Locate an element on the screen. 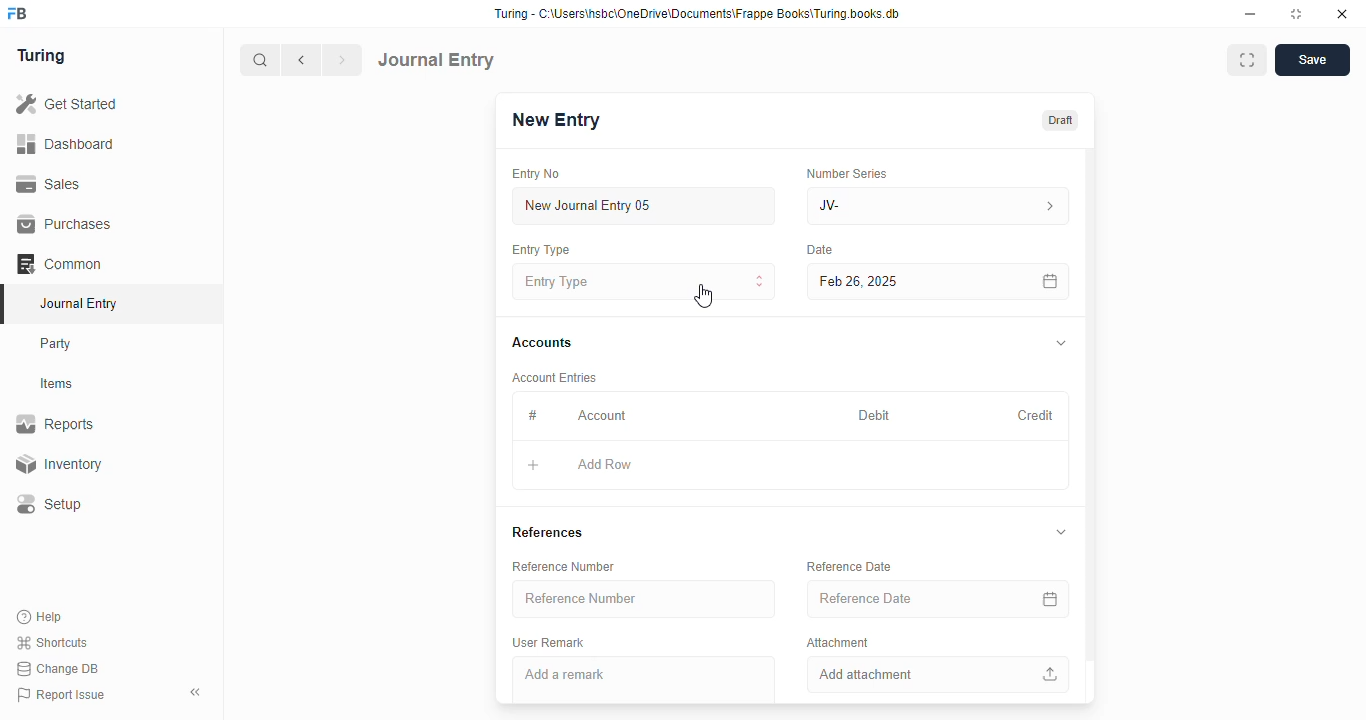 The image size is (1366, 720). debit is located at coordinates (875, 415).